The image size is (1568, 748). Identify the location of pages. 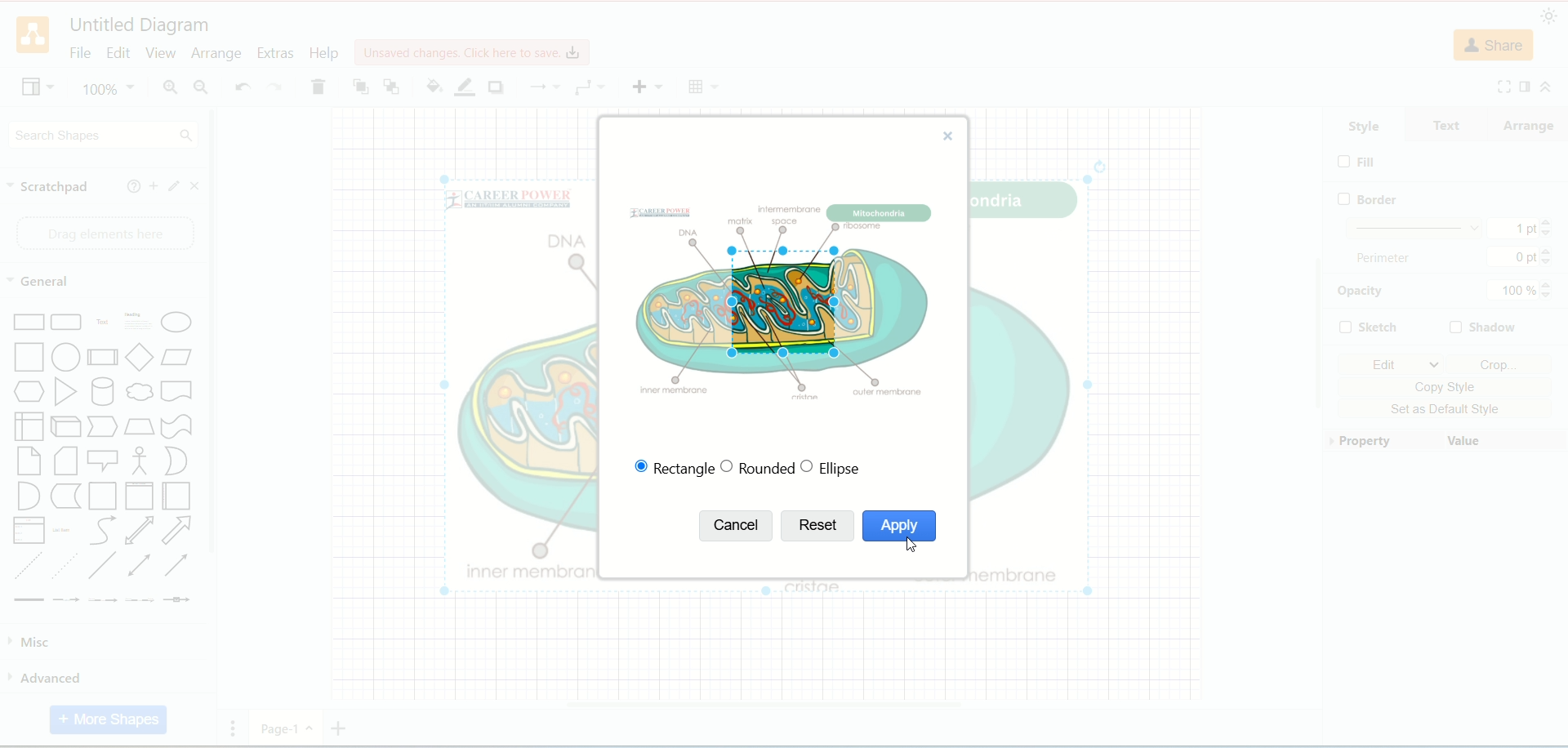
(238, 727).